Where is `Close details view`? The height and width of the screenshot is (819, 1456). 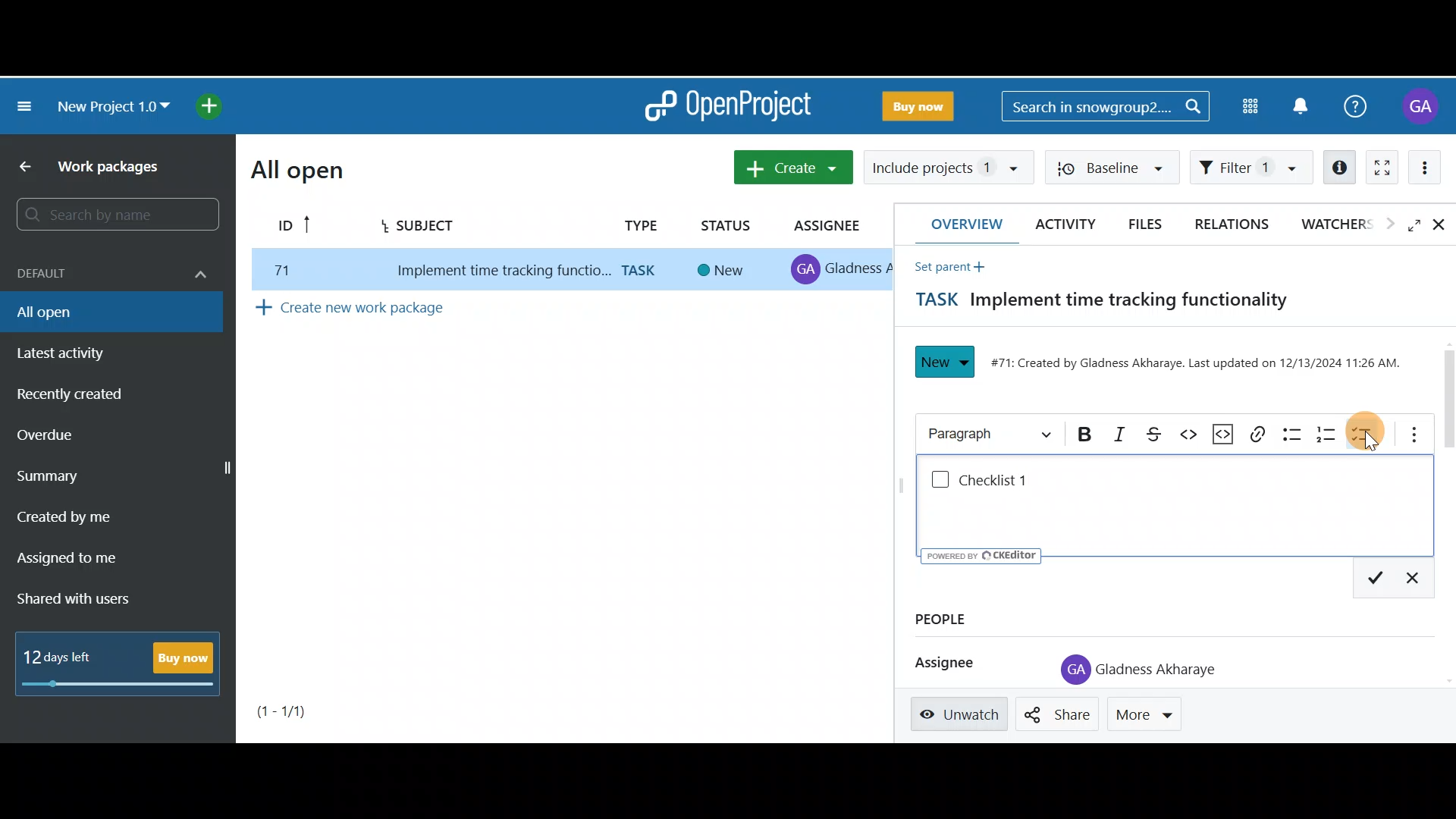 Close details view is located at coordinates (1442, 226).